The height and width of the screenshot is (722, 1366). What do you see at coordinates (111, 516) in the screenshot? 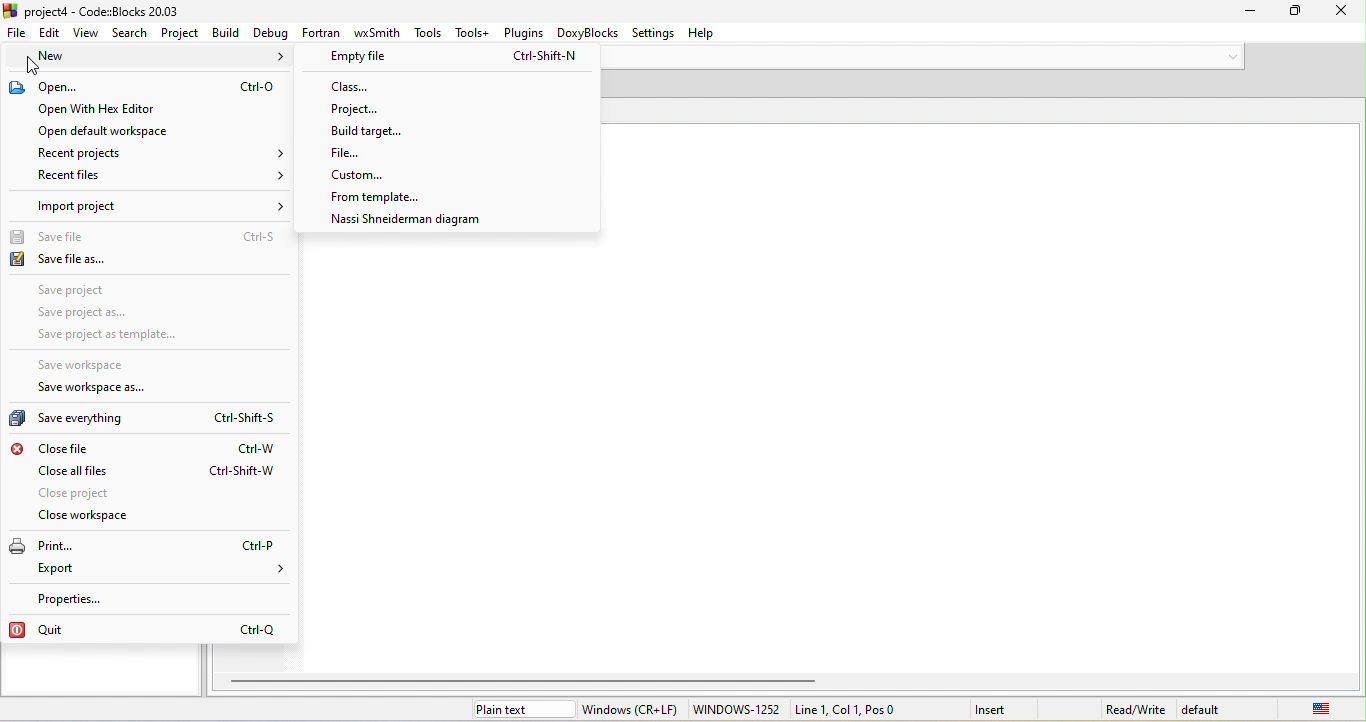
I see `close workspace` at bounding box center [111, 516].